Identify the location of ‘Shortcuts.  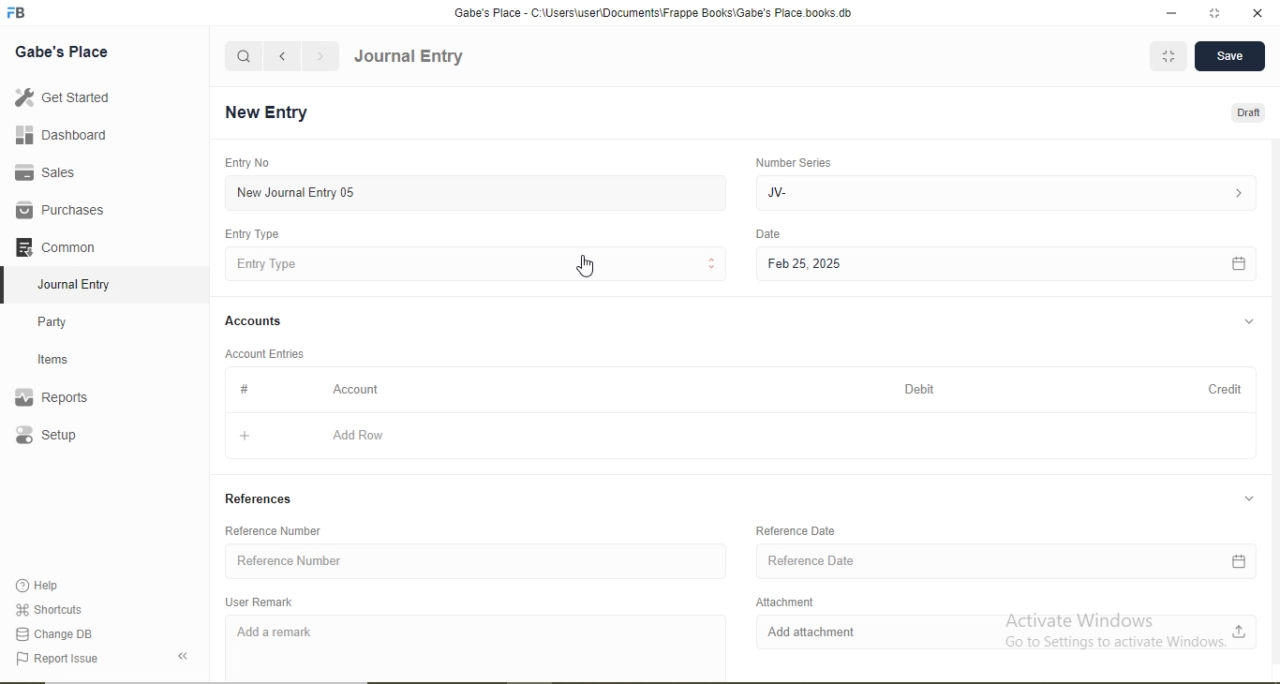
(51, 608).